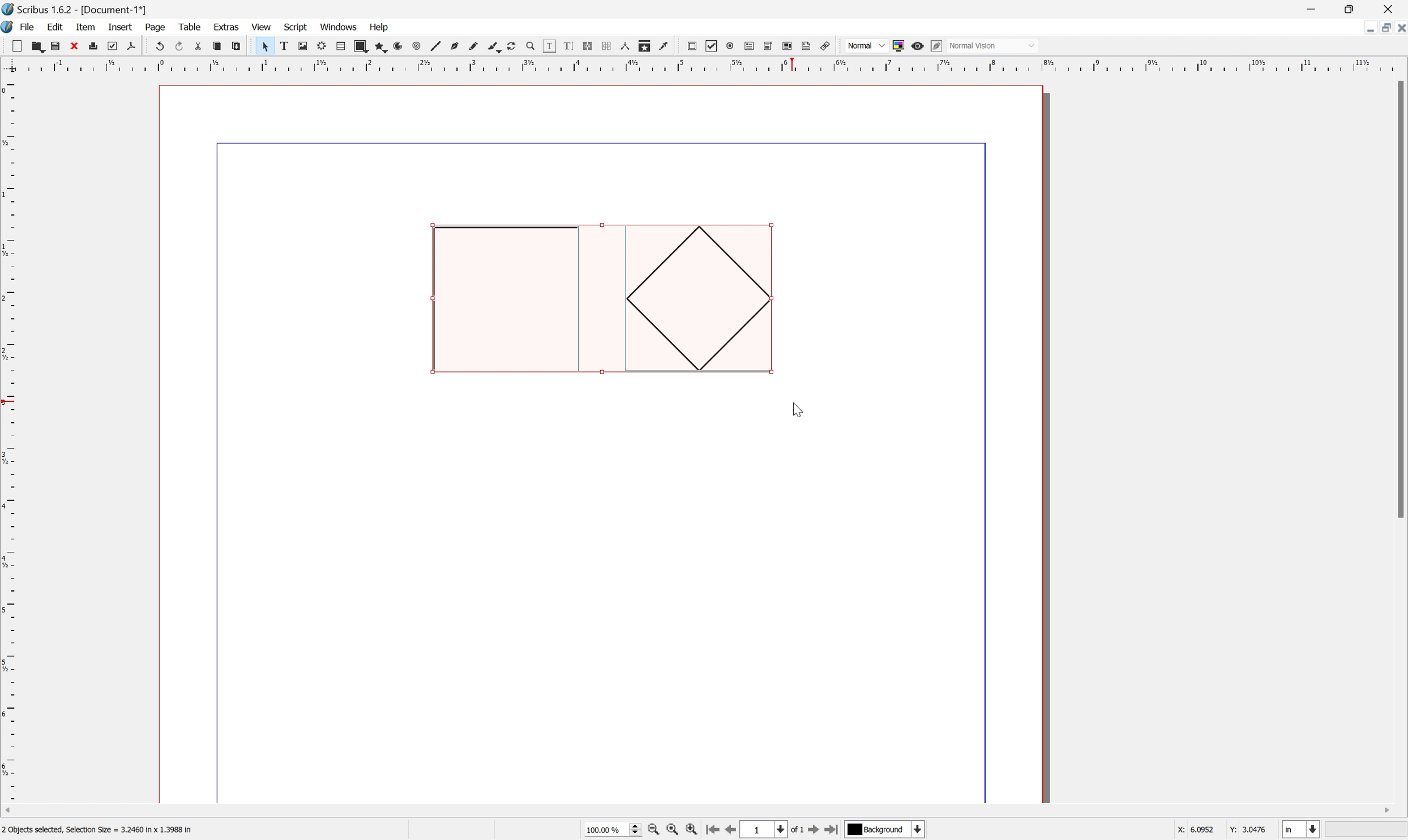 Image resolution: width=1408 pixels, height=840 pixels. Describe the element at coordinates (339, 46) in the screenshot. I see `table` at that location.